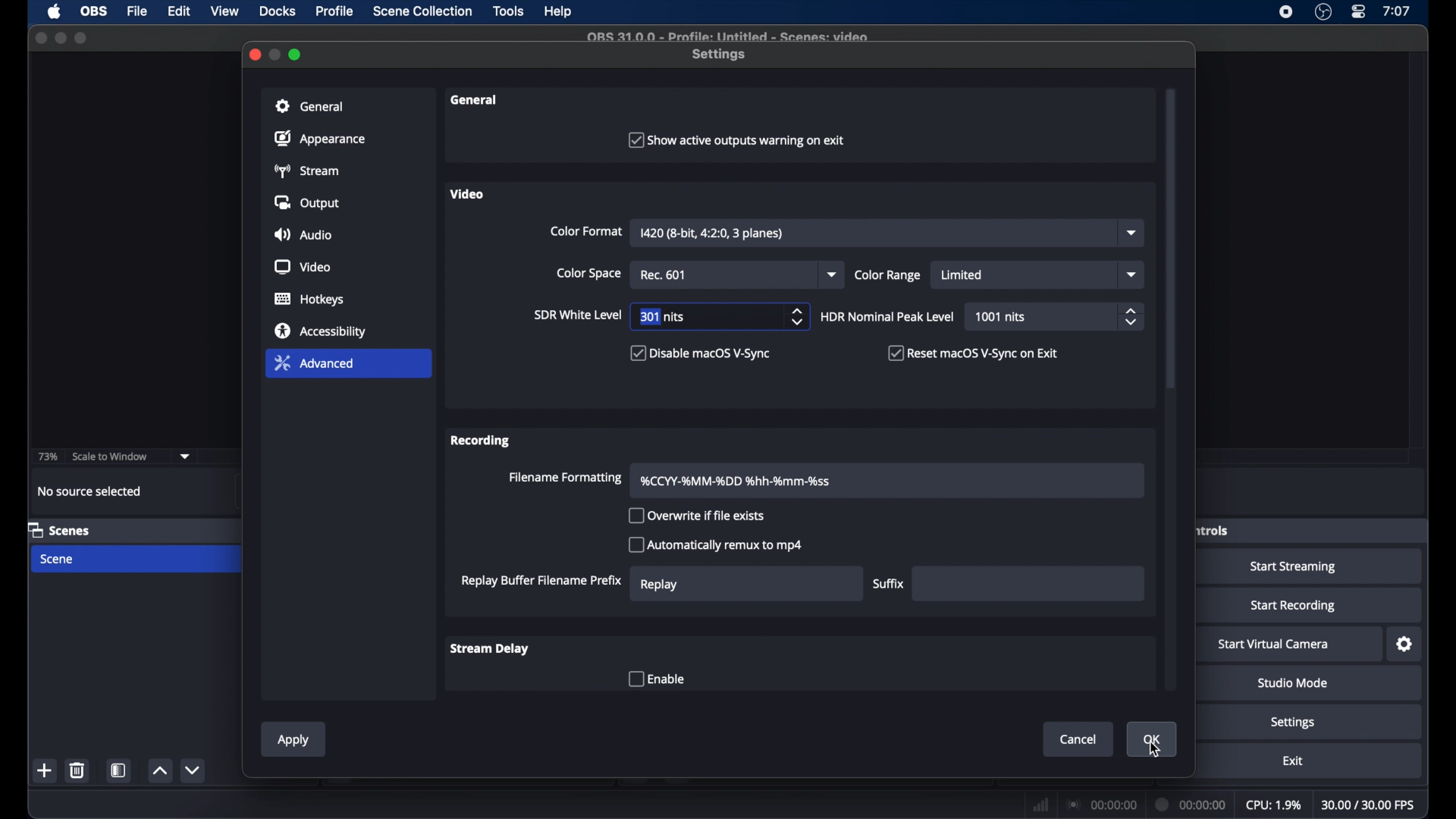  What do you see at coordinates (178, 11) in the screenshot?
I see `edit` at bounding box center [178, 11].